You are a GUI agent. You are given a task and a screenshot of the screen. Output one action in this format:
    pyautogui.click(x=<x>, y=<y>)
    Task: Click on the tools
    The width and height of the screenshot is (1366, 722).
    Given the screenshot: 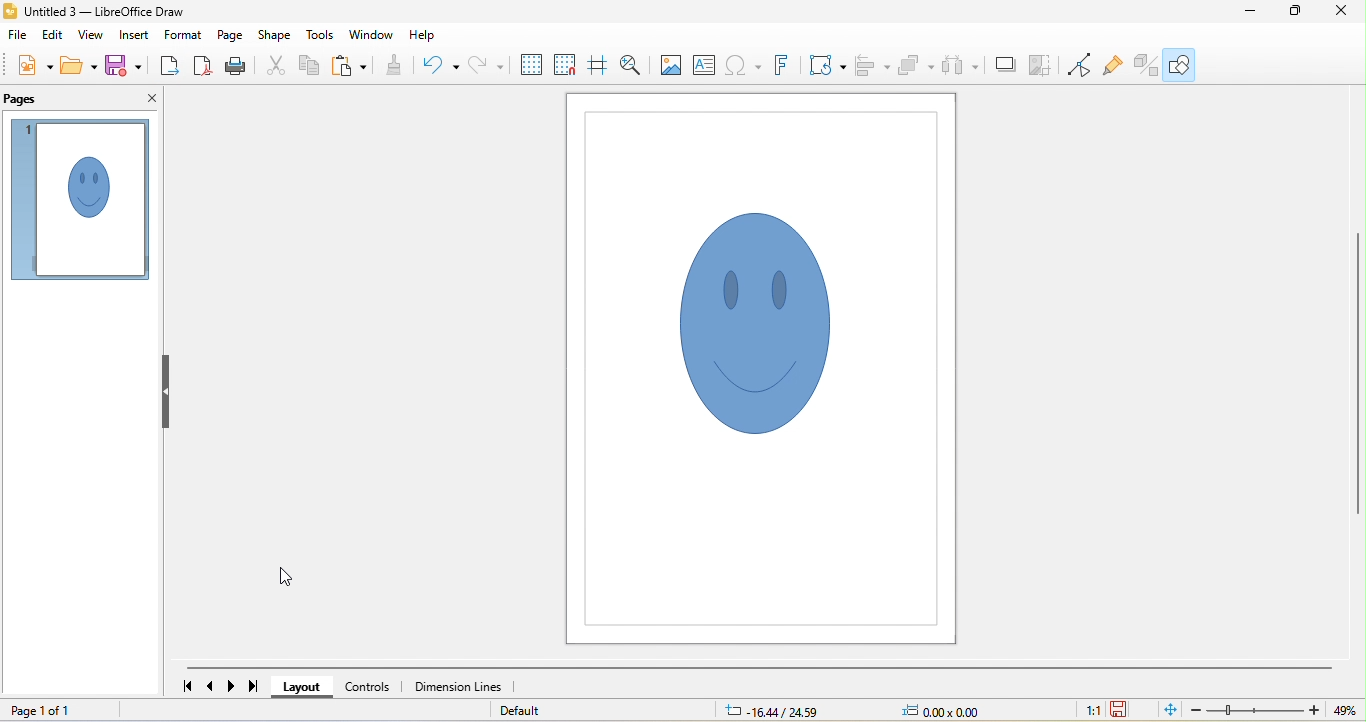 What is the action you would take?
    pyautogui.click(x=321, y=35)
    